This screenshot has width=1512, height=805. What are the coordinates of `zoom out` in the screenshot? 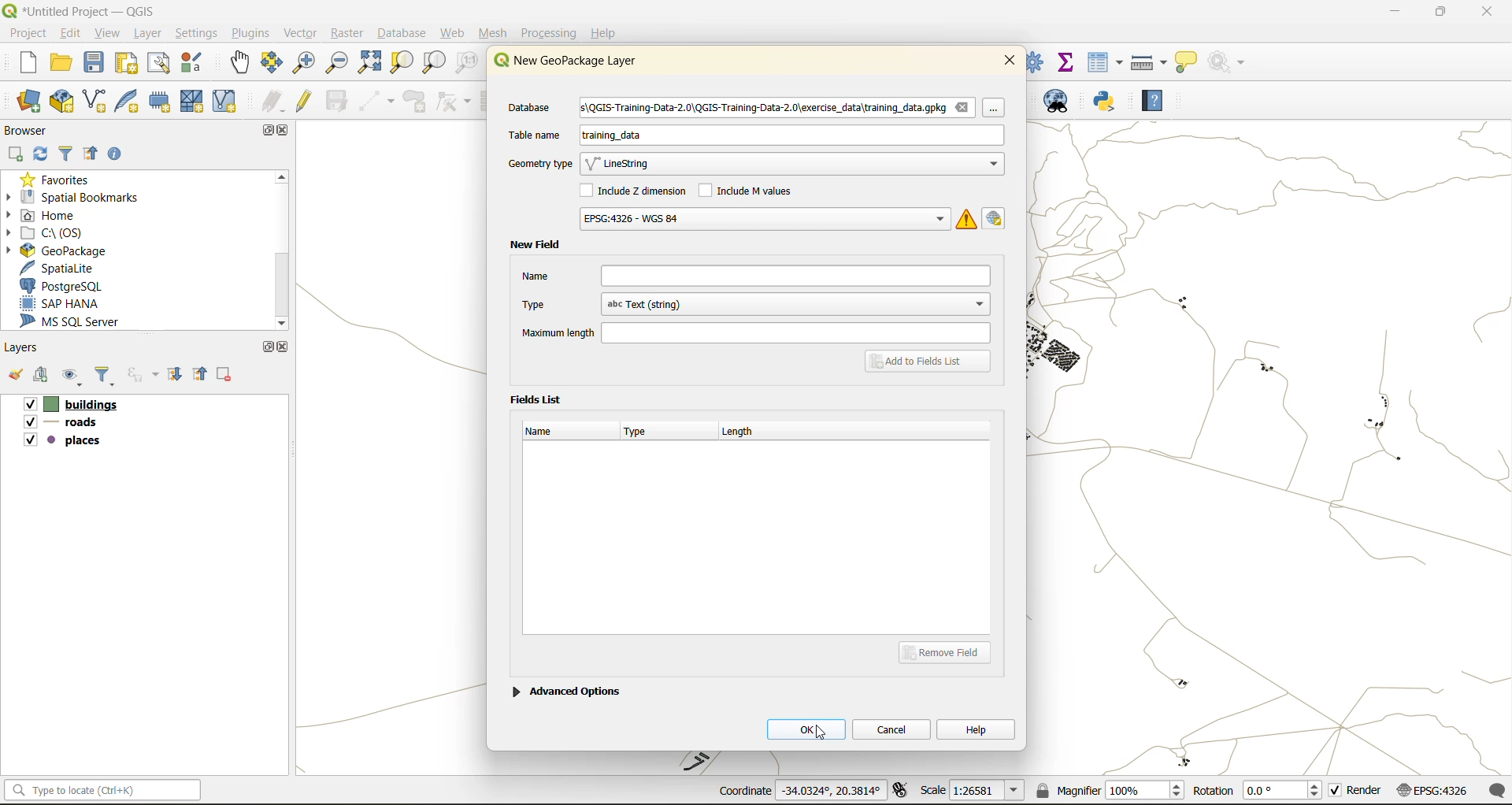 It's located at (335, 65).